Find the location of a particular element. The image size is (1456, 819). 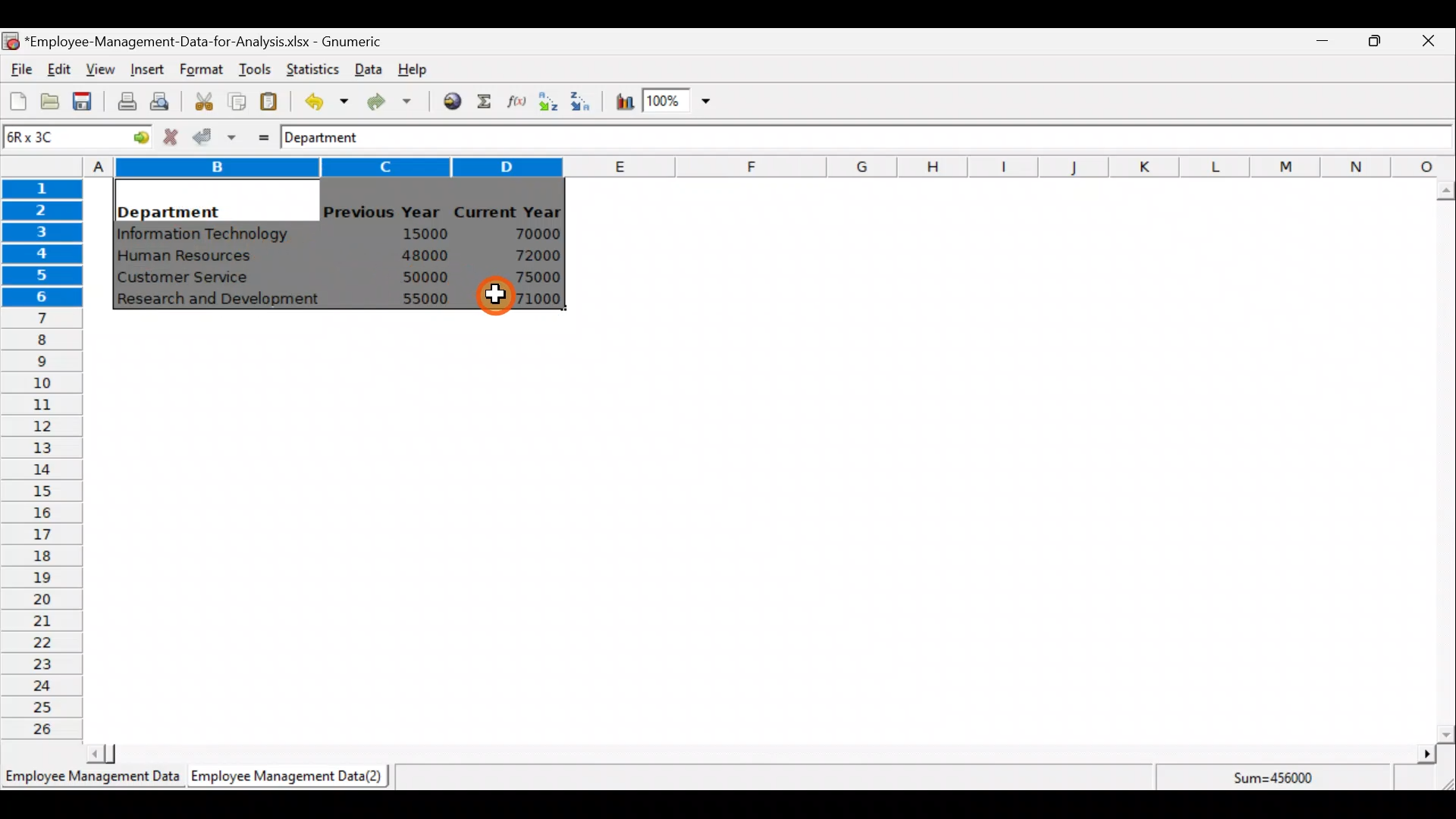

Human Resources is located at coordinates (192, 257).